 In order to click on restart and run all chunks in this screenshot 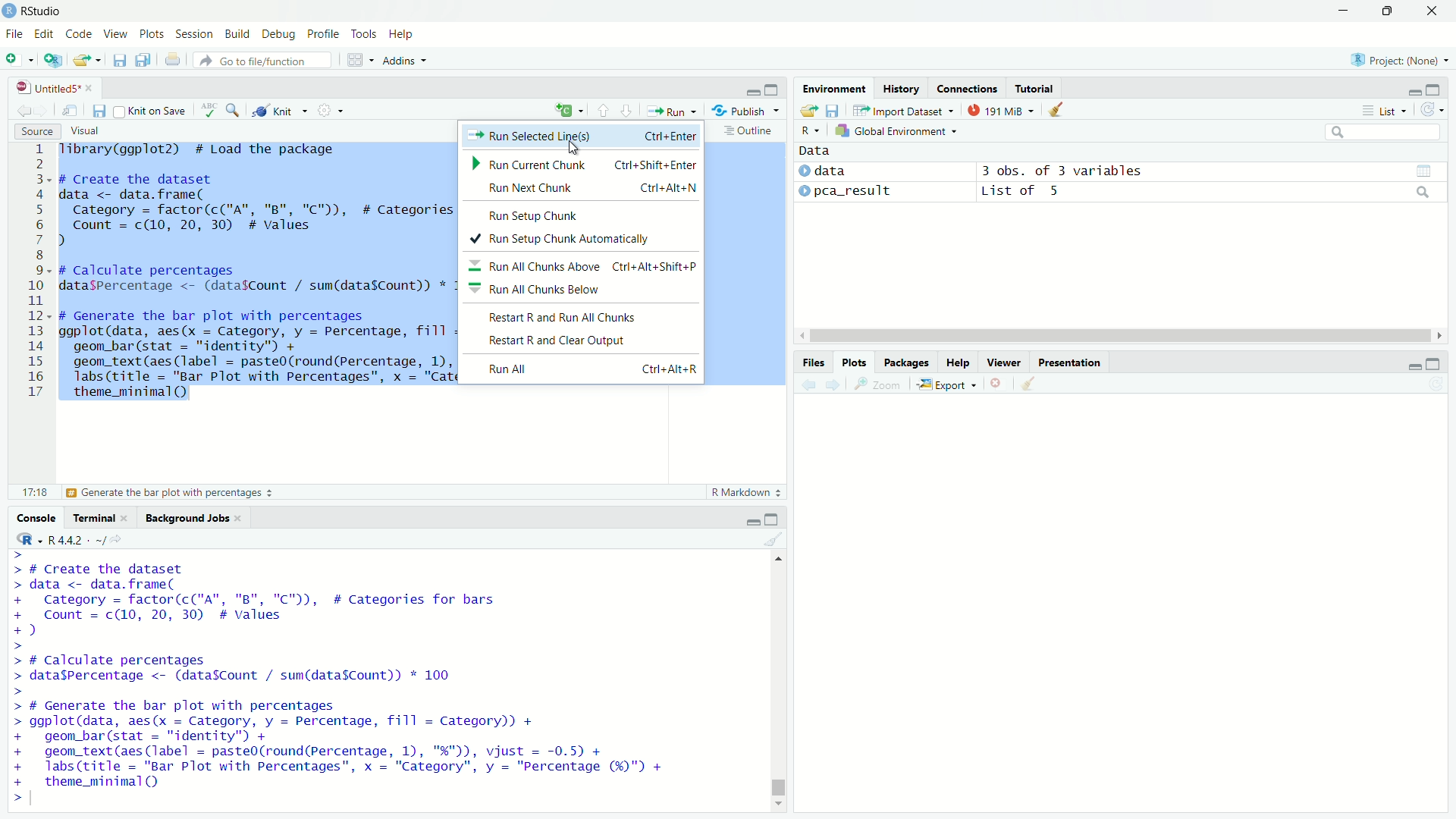, I will do `click(584, 316)`.